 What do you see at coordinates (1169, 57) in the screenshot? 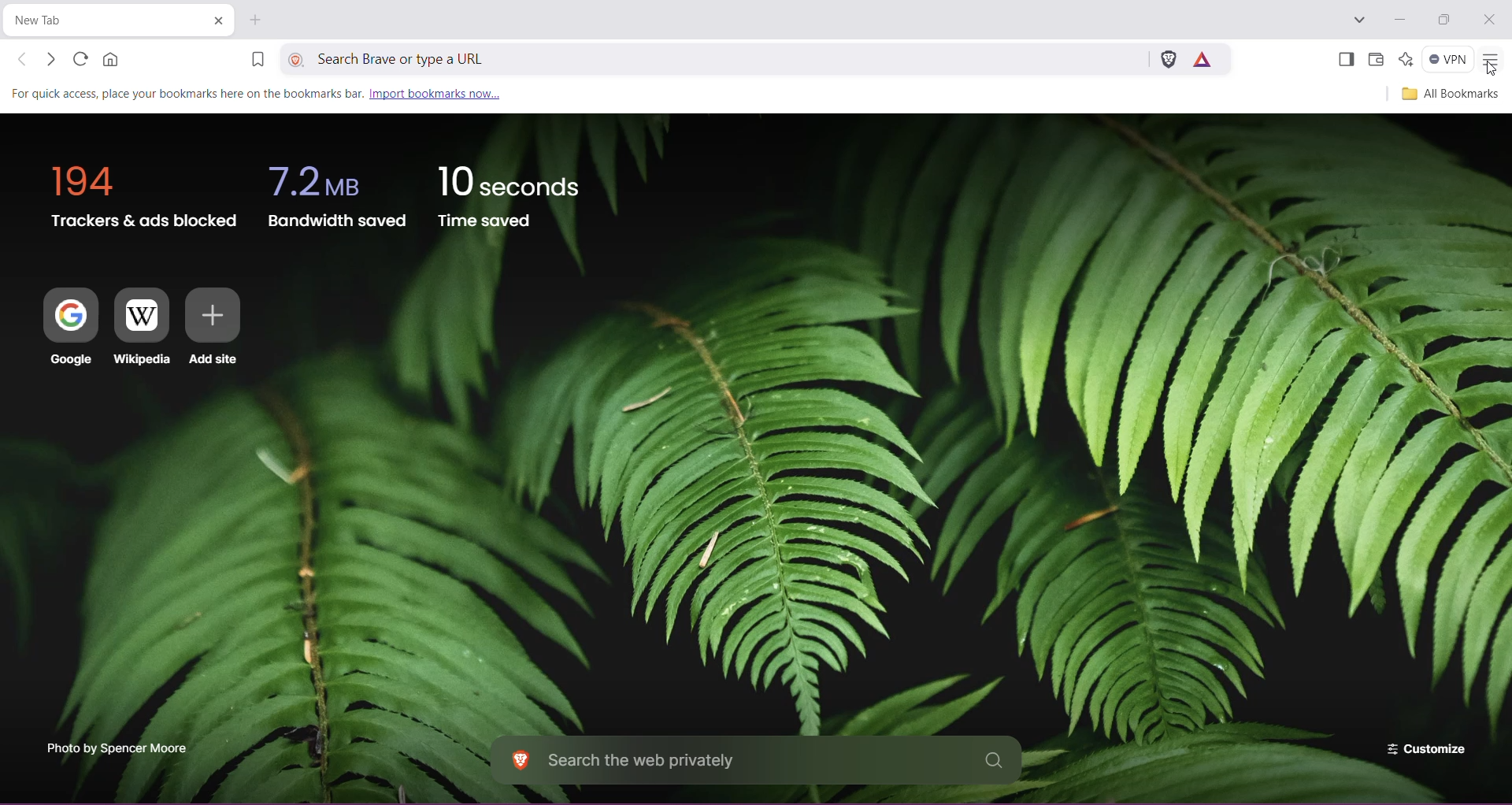
I see `Brave Shields` at bounding box center [1169, 57].